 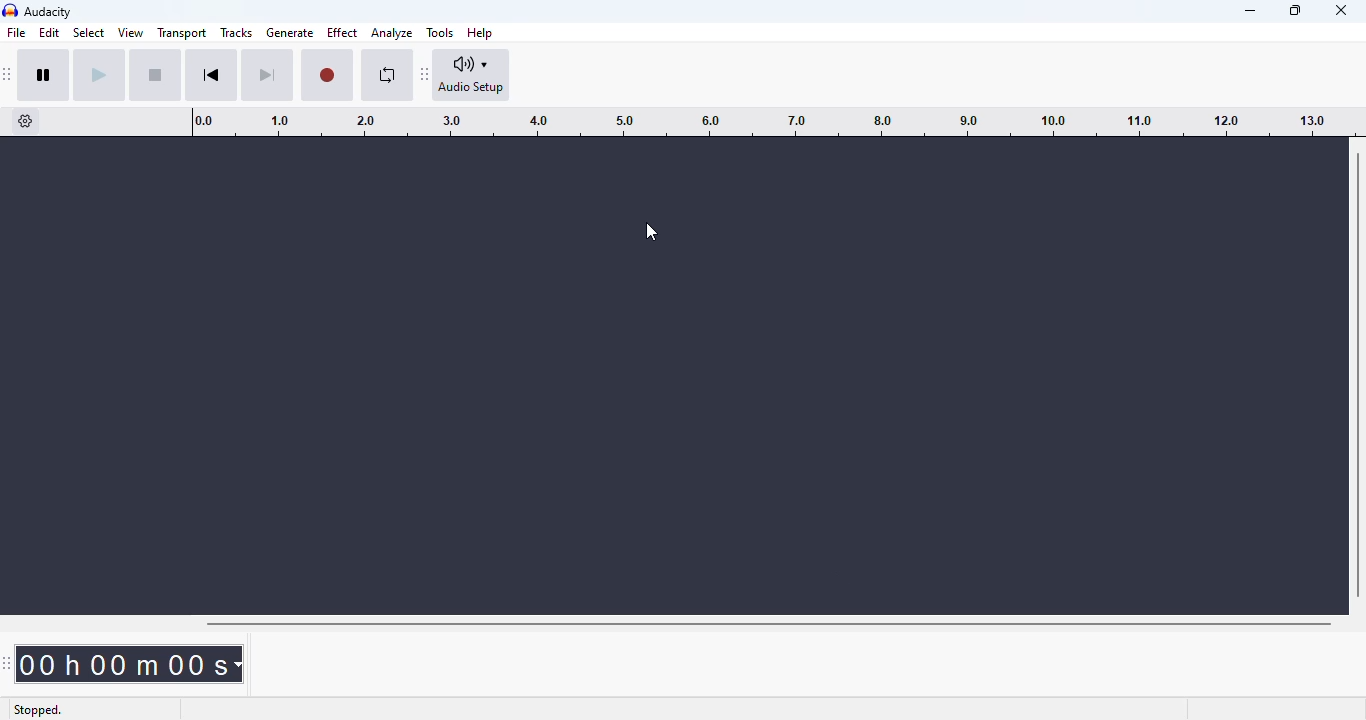 What do you see at coordinates (1295, 9) in the screenshot?
I see `maximize` at bounding box center [1295, 9].